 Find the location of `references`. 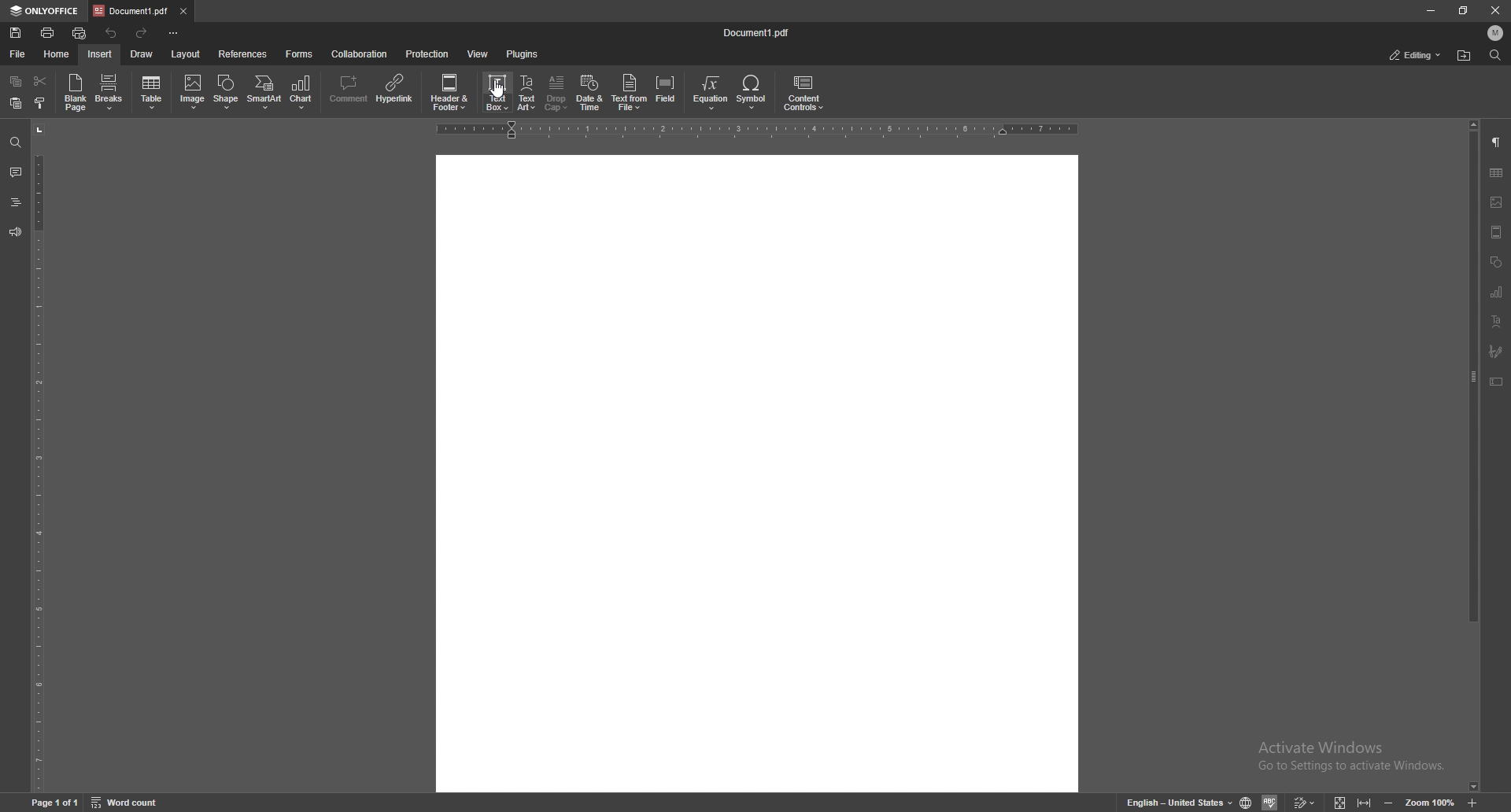

references is located at coordinates (243, 54).